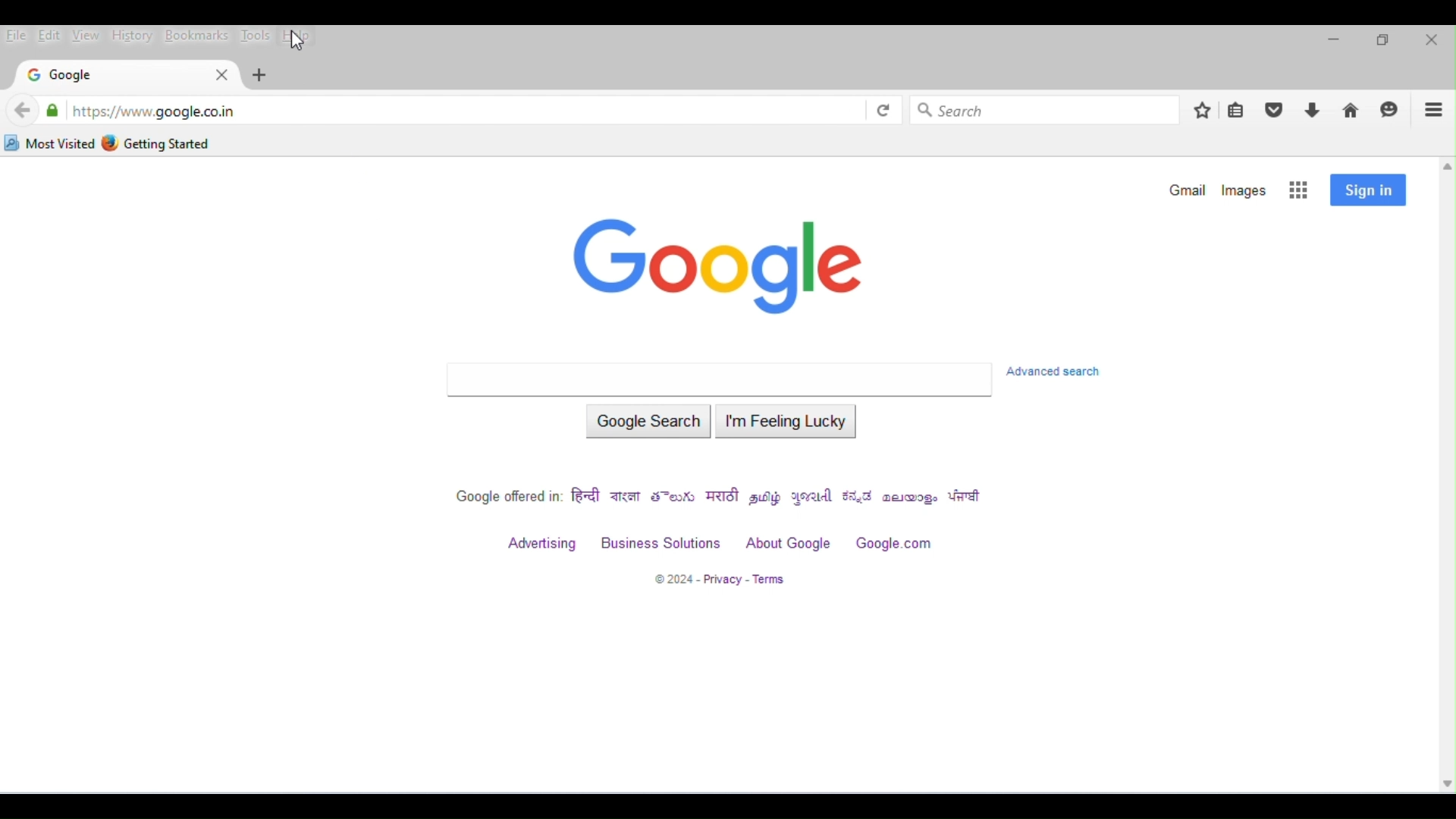 Image resolution: width=1456 pixels, height=819 pixels. What do you see at coordinates (1382, 42) in the screenshot?
I see `maximize` at bounding box center [1382, 42].